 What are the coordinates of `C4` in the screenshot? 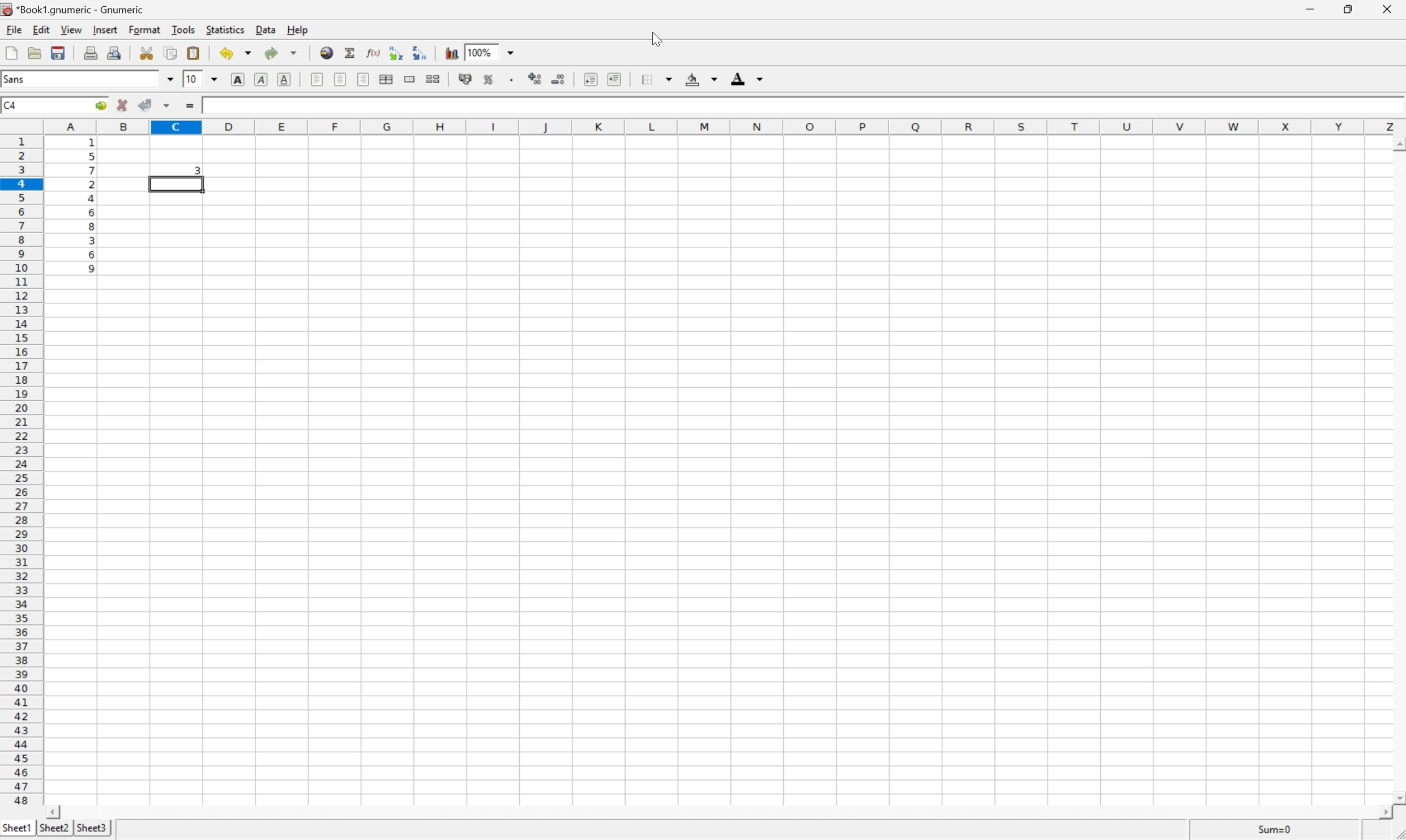 It's located at (14, 105).